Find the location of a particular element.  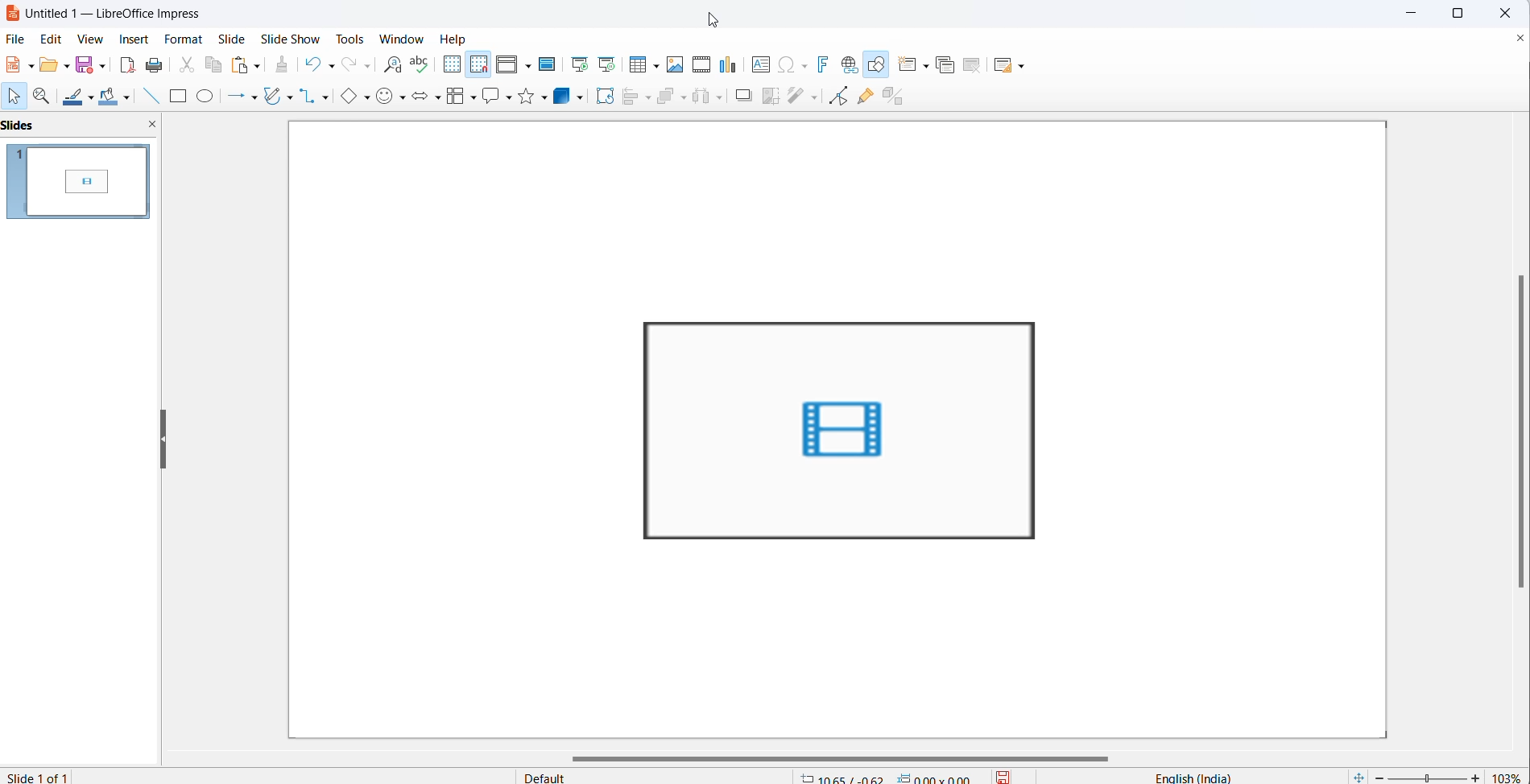

flow charts is located at coordinates (457, 97).